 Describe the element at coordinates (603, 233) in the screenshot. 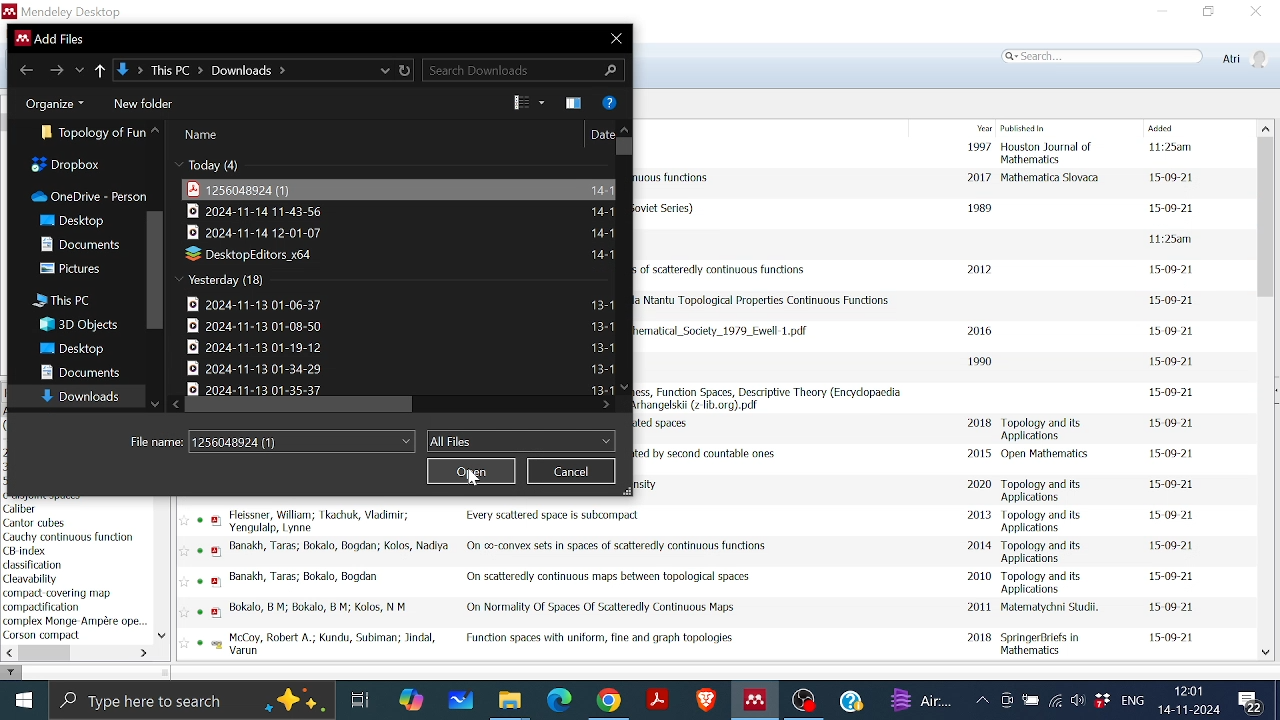

I see `File` at that location.